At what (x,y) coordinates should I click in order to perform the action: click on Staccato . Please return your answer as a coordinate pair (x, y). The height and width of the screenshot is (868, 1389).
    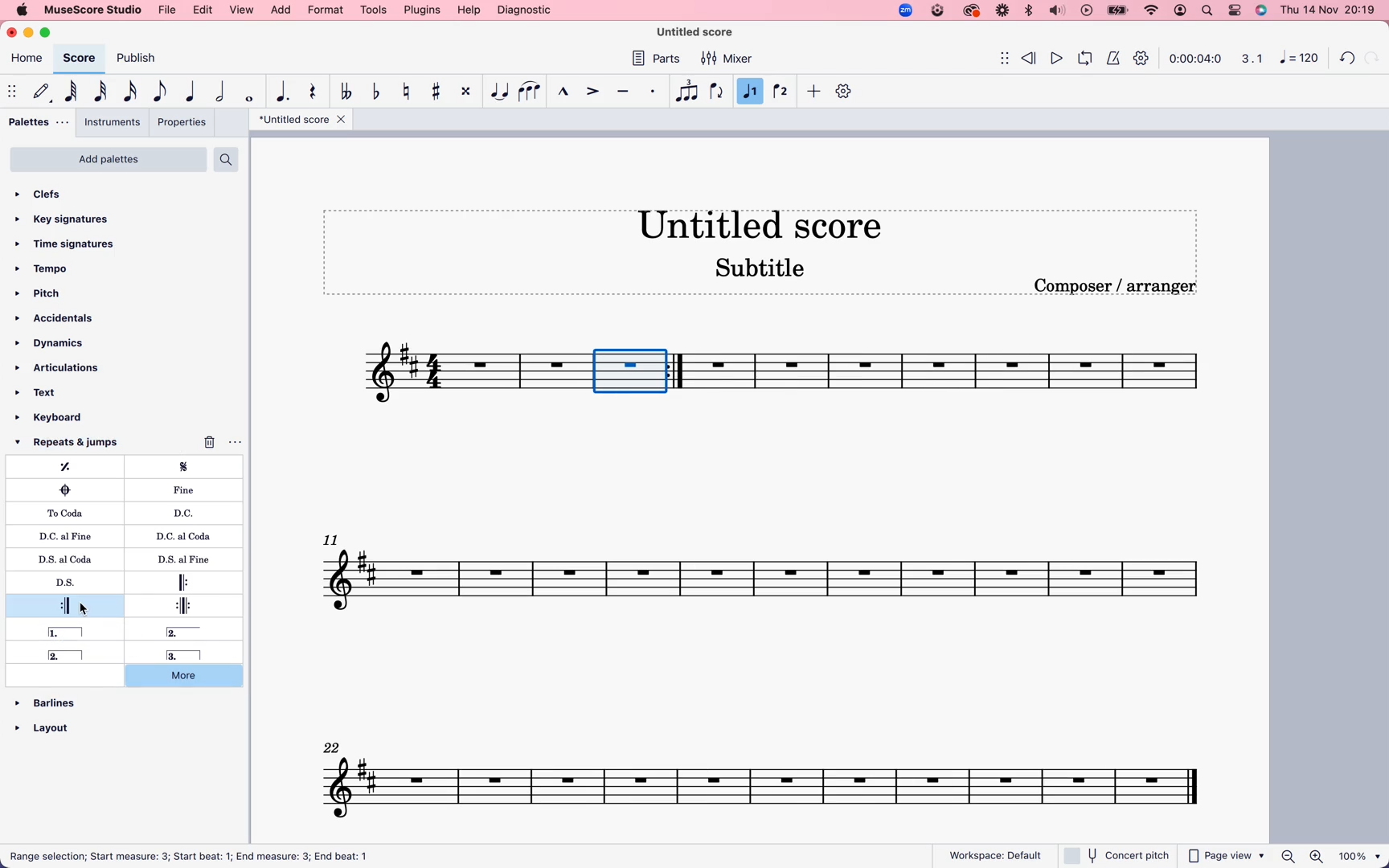
    Looking at the image, I should click on (654, 91).